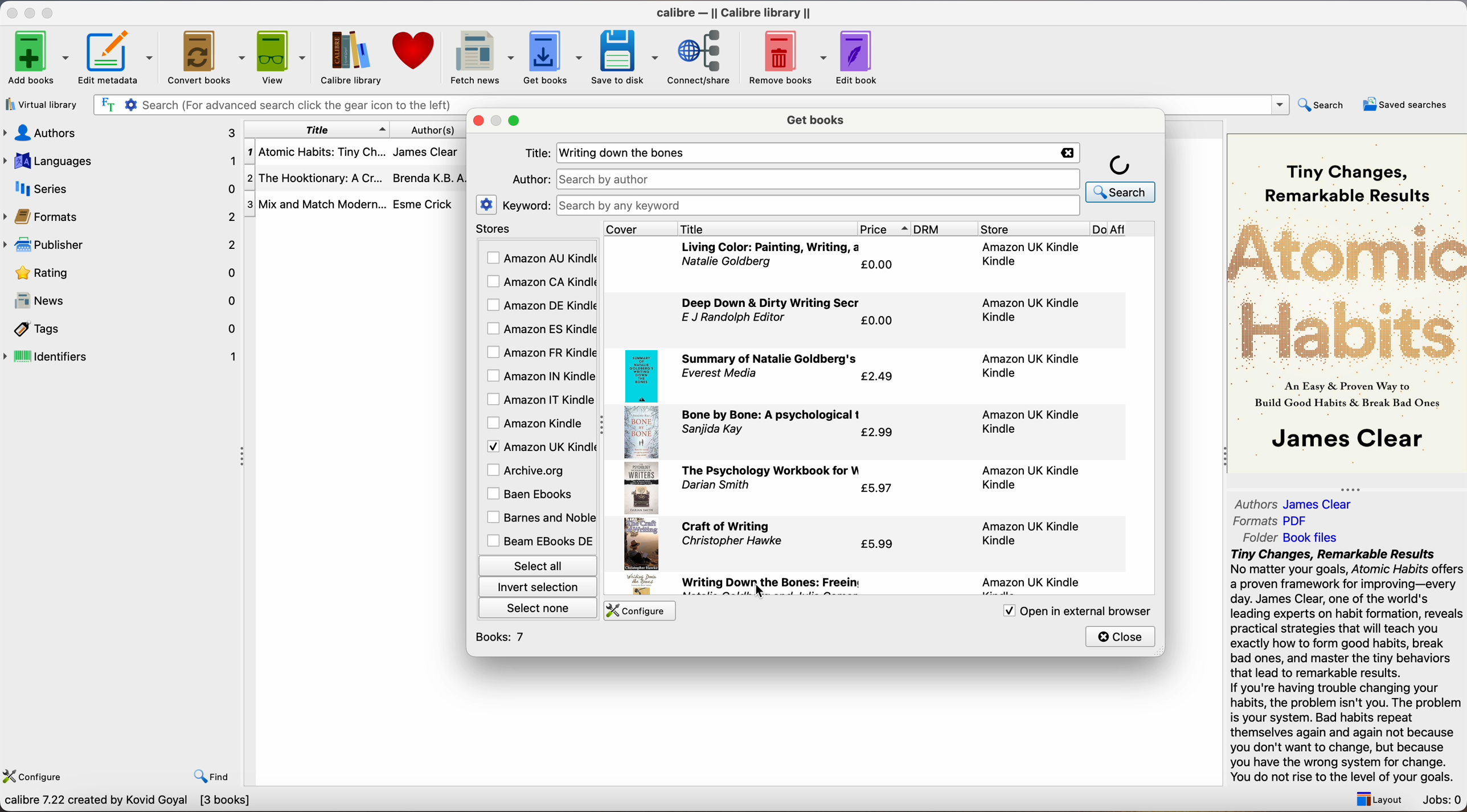 The image size is (1467, 812). What do you see at coordinates (208, 59) in the screenshot?
I see `convert books` at bounding box center [208, 59].